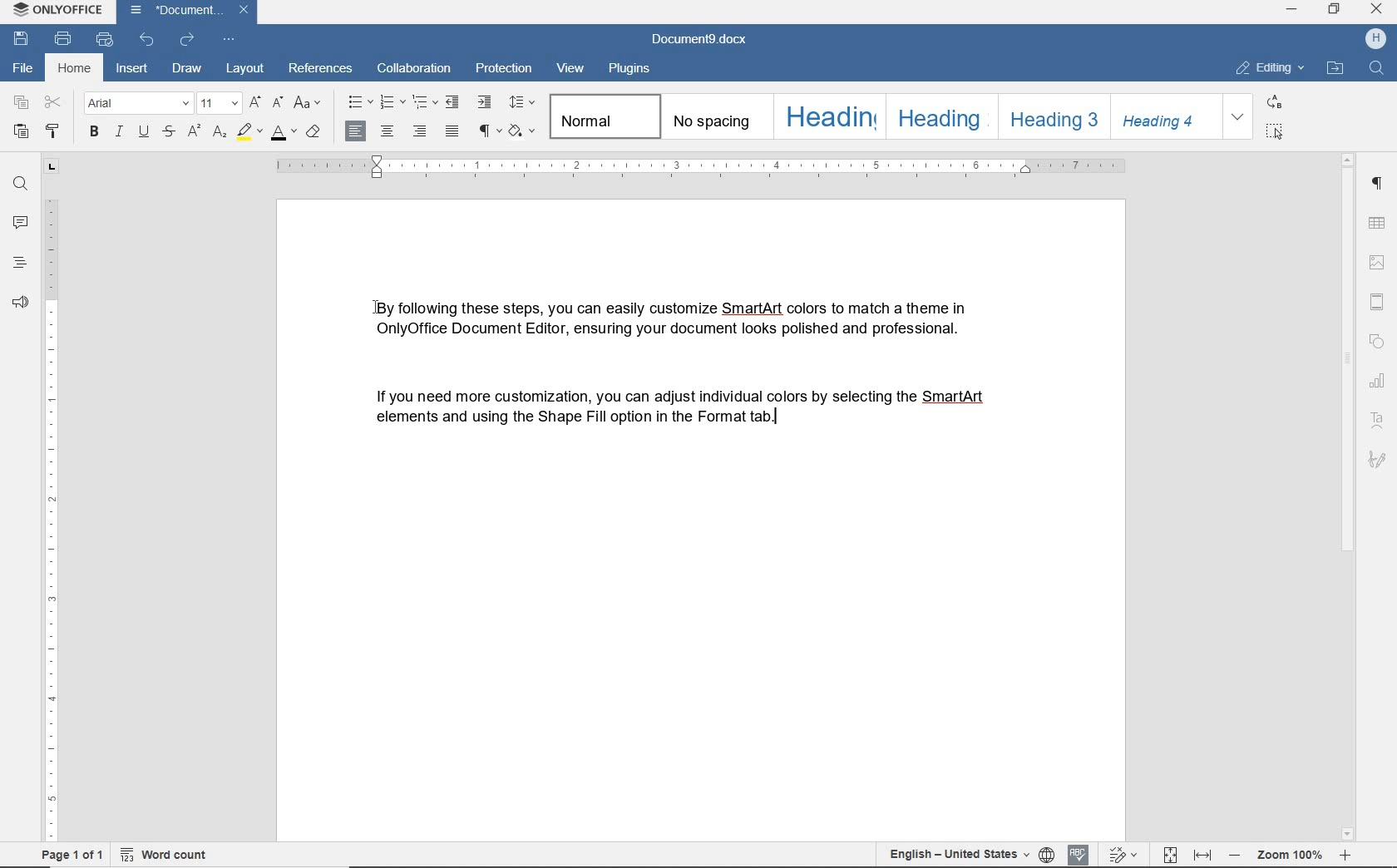  Describe the element at coordinates (1335, 69) in the screenshot. I see `open file location` at that location.